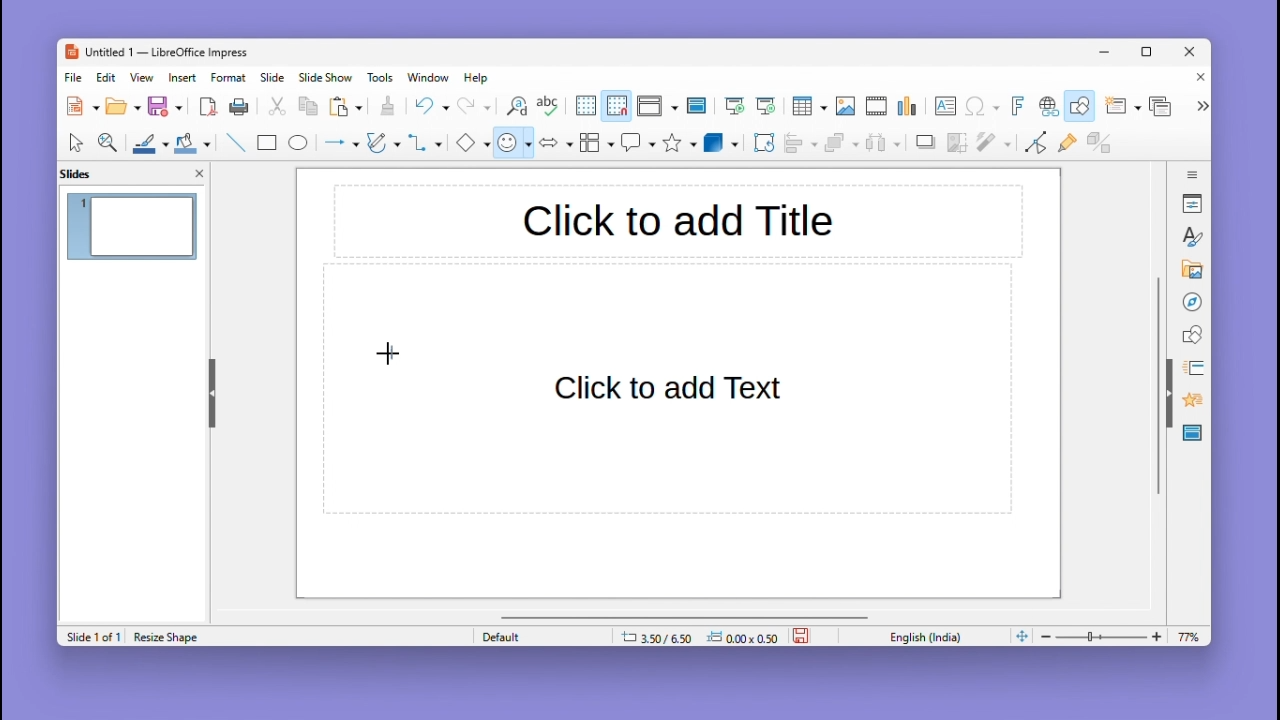  Describe the element at coordinates (1191, 53) in the screenshot. I see `Close` at that location.